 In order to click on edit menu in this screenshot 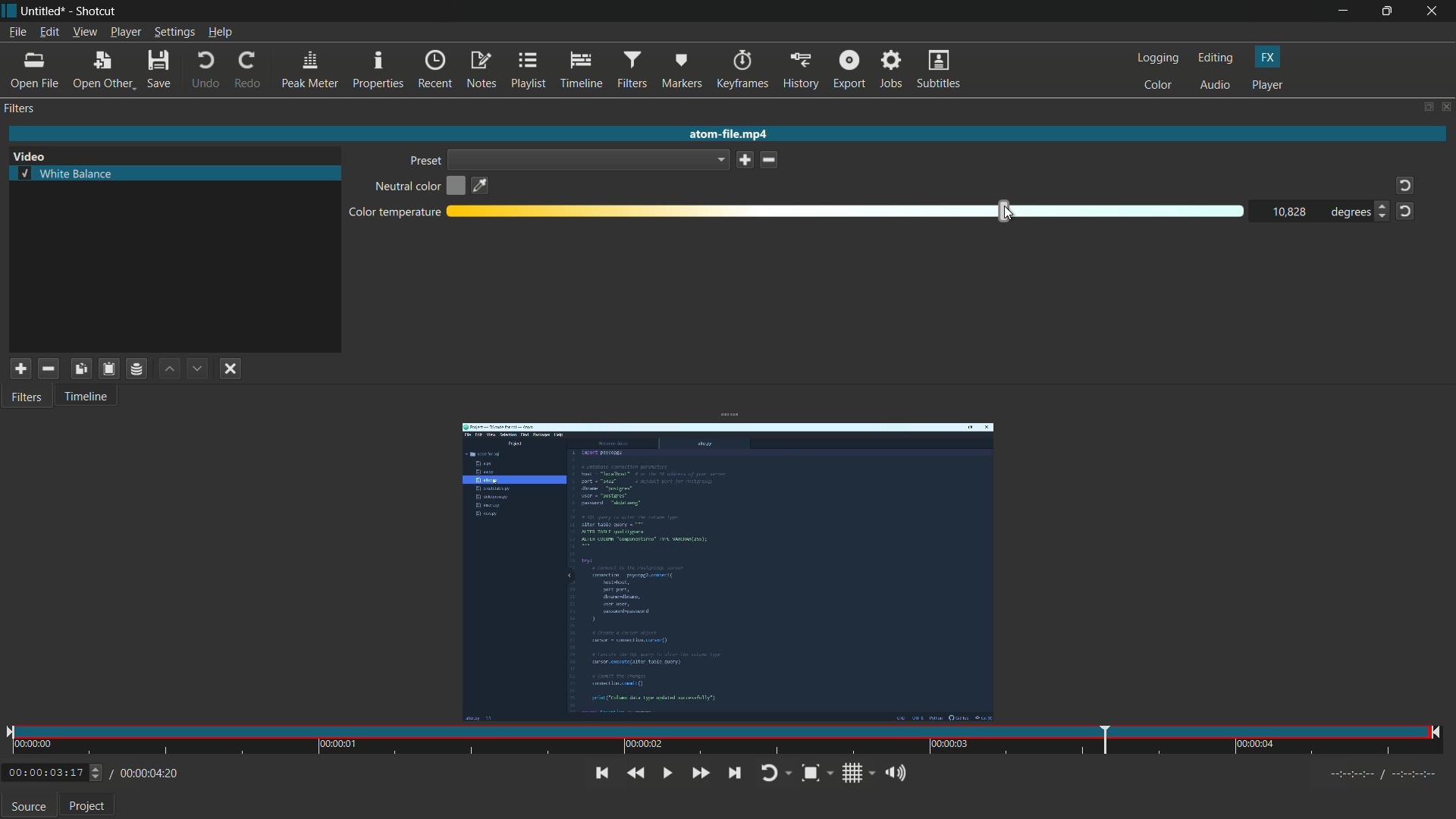, I will do `click(49, 31)`.